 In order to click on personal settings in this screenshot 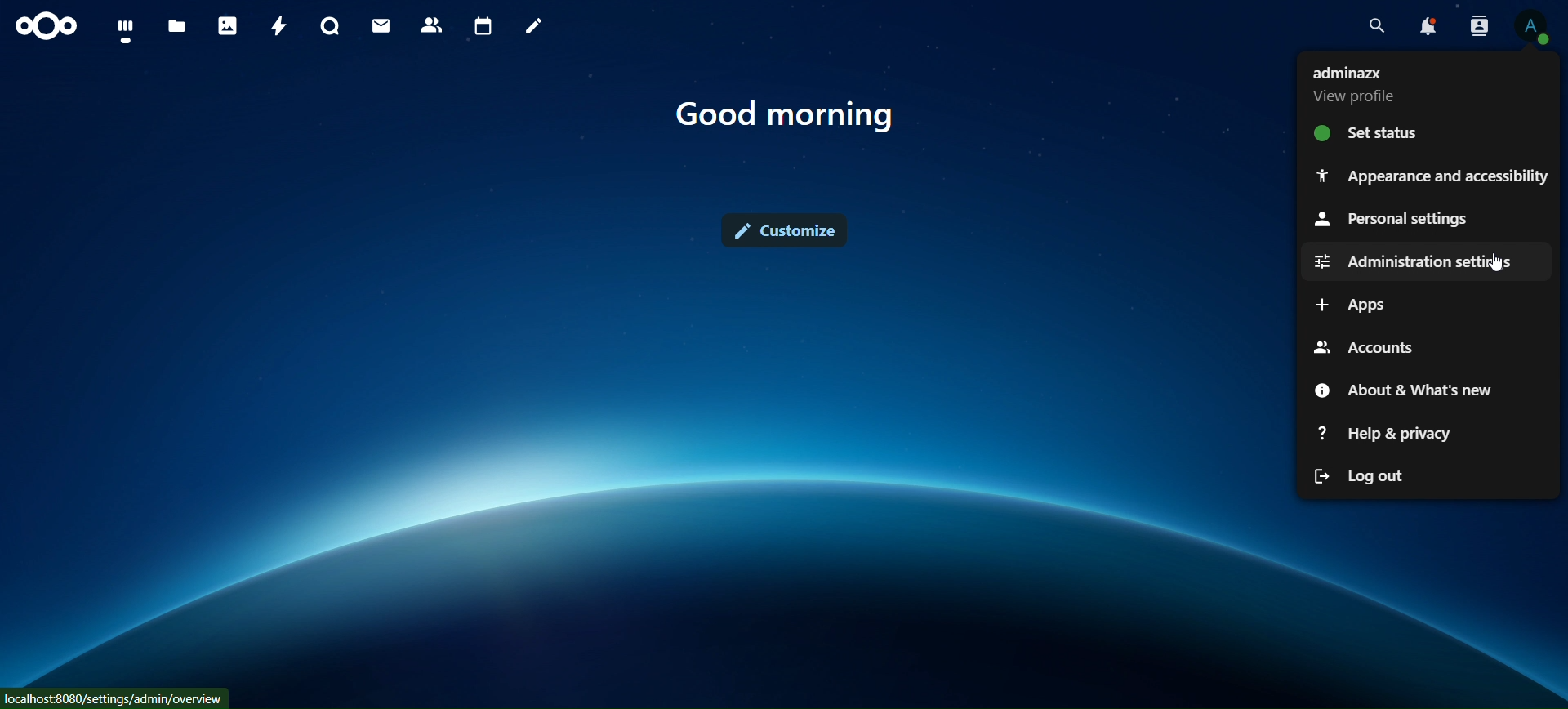, I will do `click(1396, 217)`.